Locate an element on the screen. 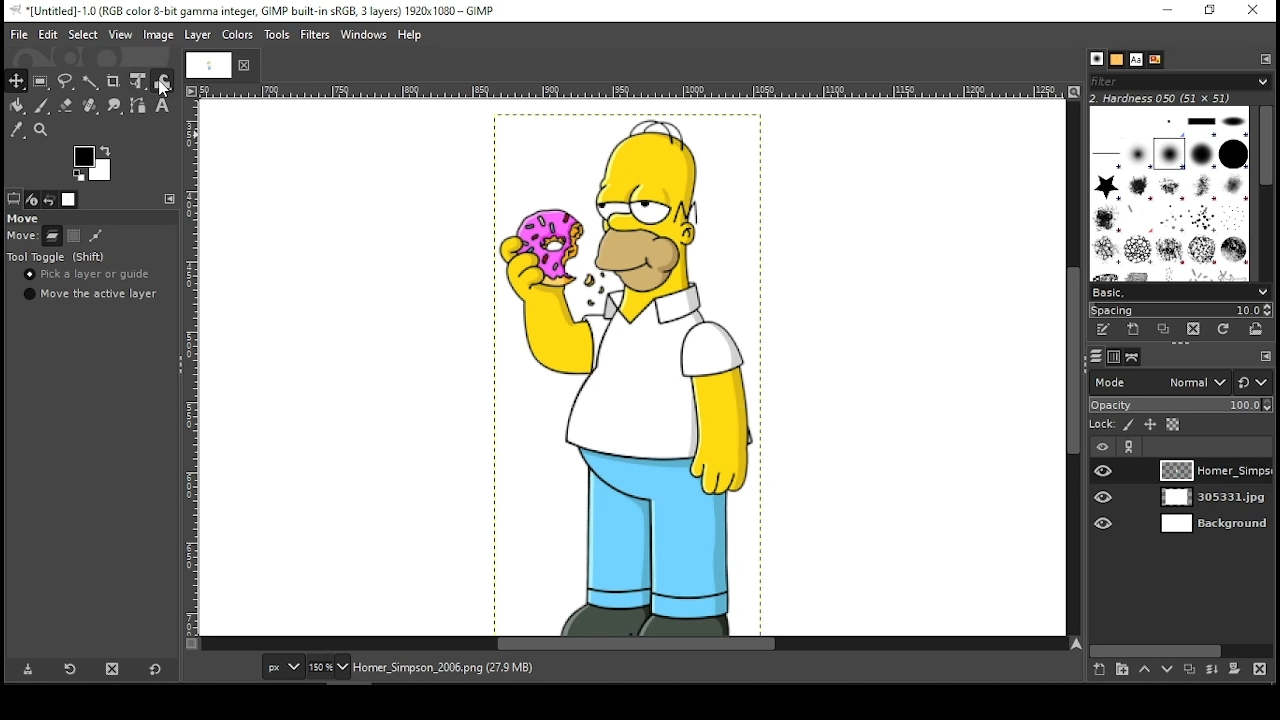 This screenshot has height=720, width=1280. delete brush is located at coordinates (1193, 329).